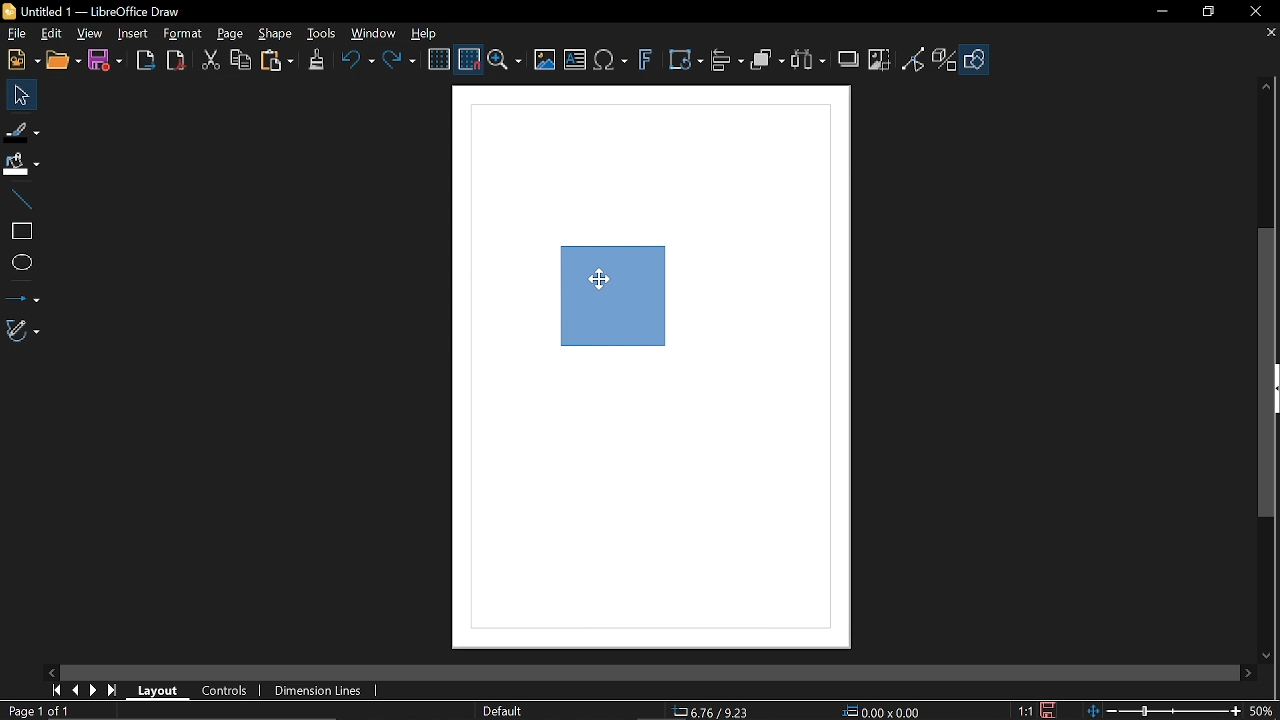 This screenshot has width=1280, height=720. What do you see at coordinates (614, 304) in the screenshot?
I see `Rectangle (Current diagram)` at bounding box center [614, 304].